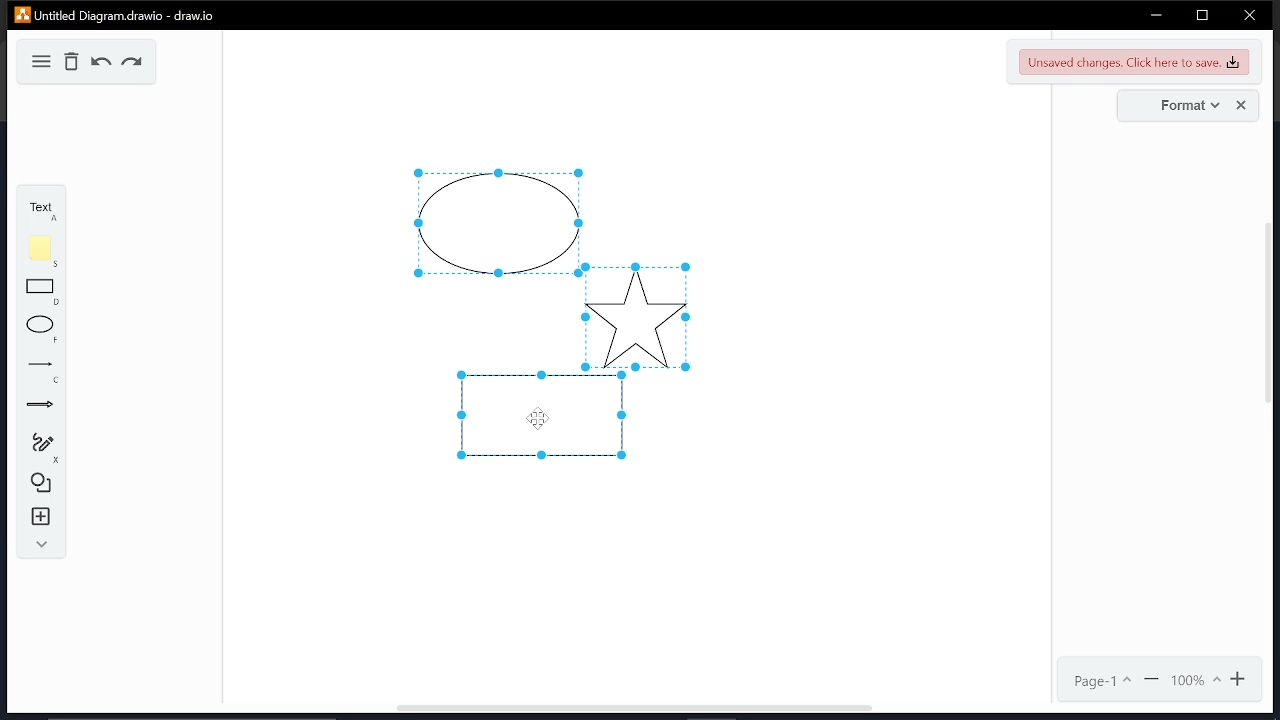 This screenshot has height=720, width=1280. I want to click on close, so click(1242, 106).